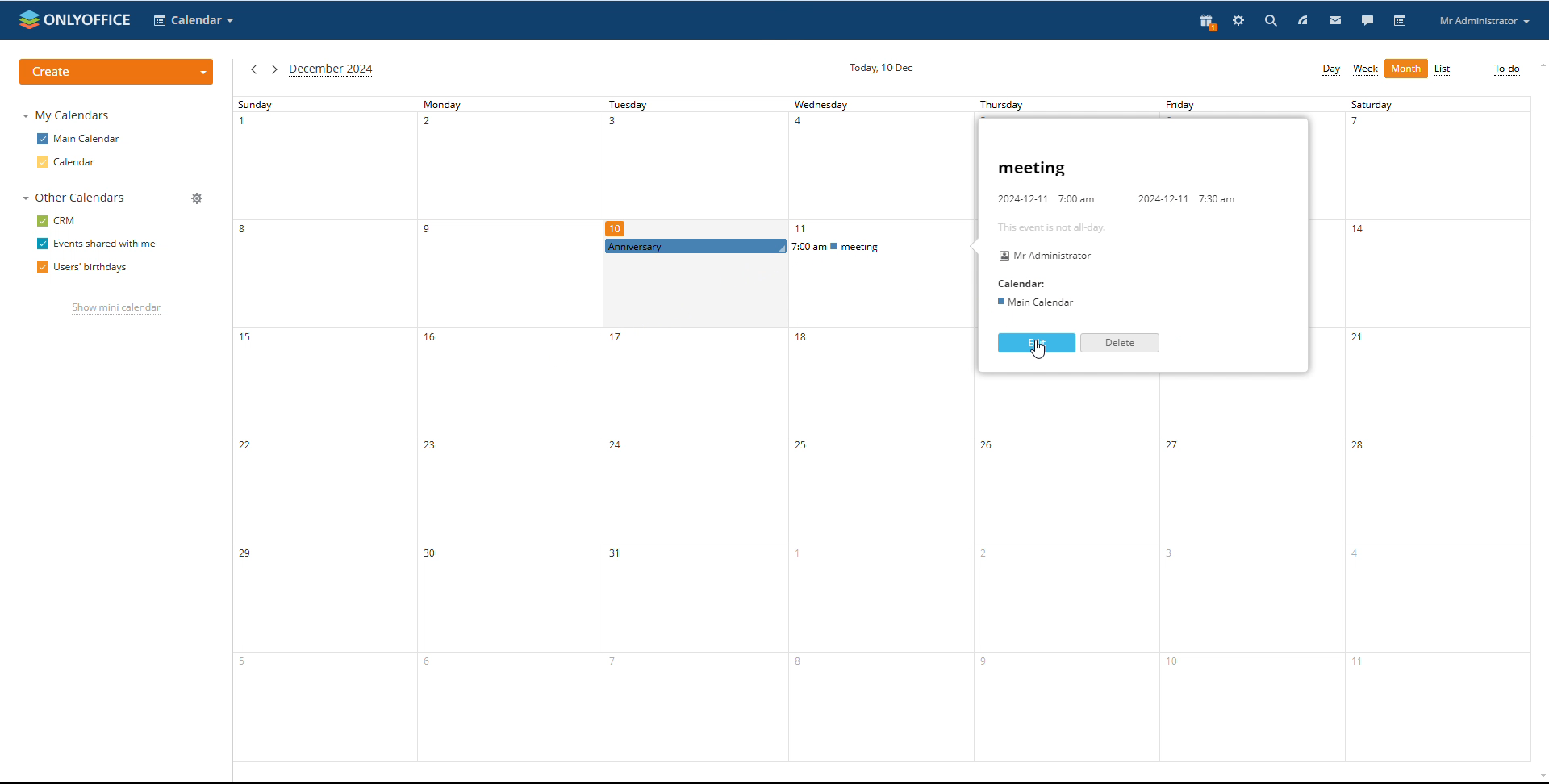  Describe the element at coordinates (1046, 198) in the screenshot. I see `` at that location.